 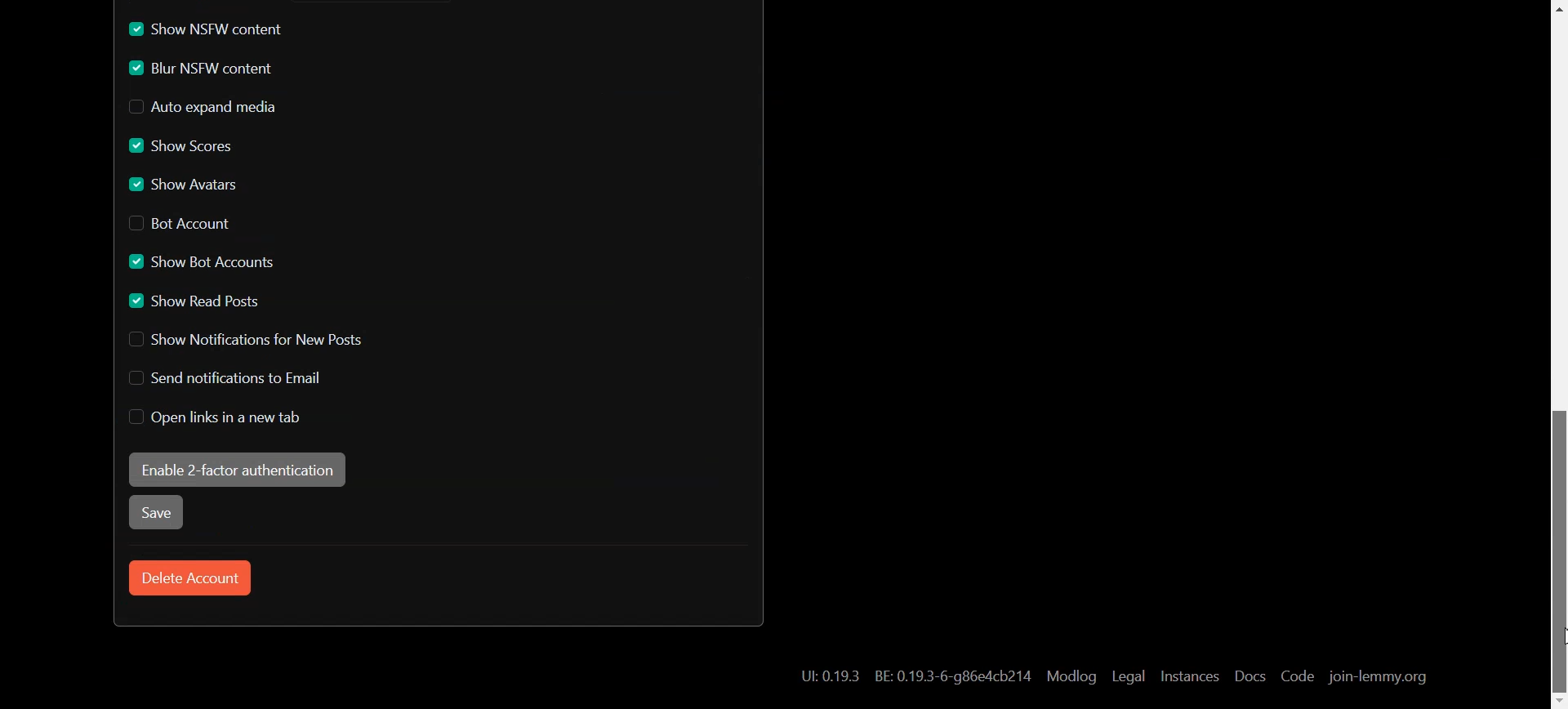 What do you see at coordinates (203, 300) in the screenshot?
I see `Enable Show read Posts` at bounding box center [203, 300].